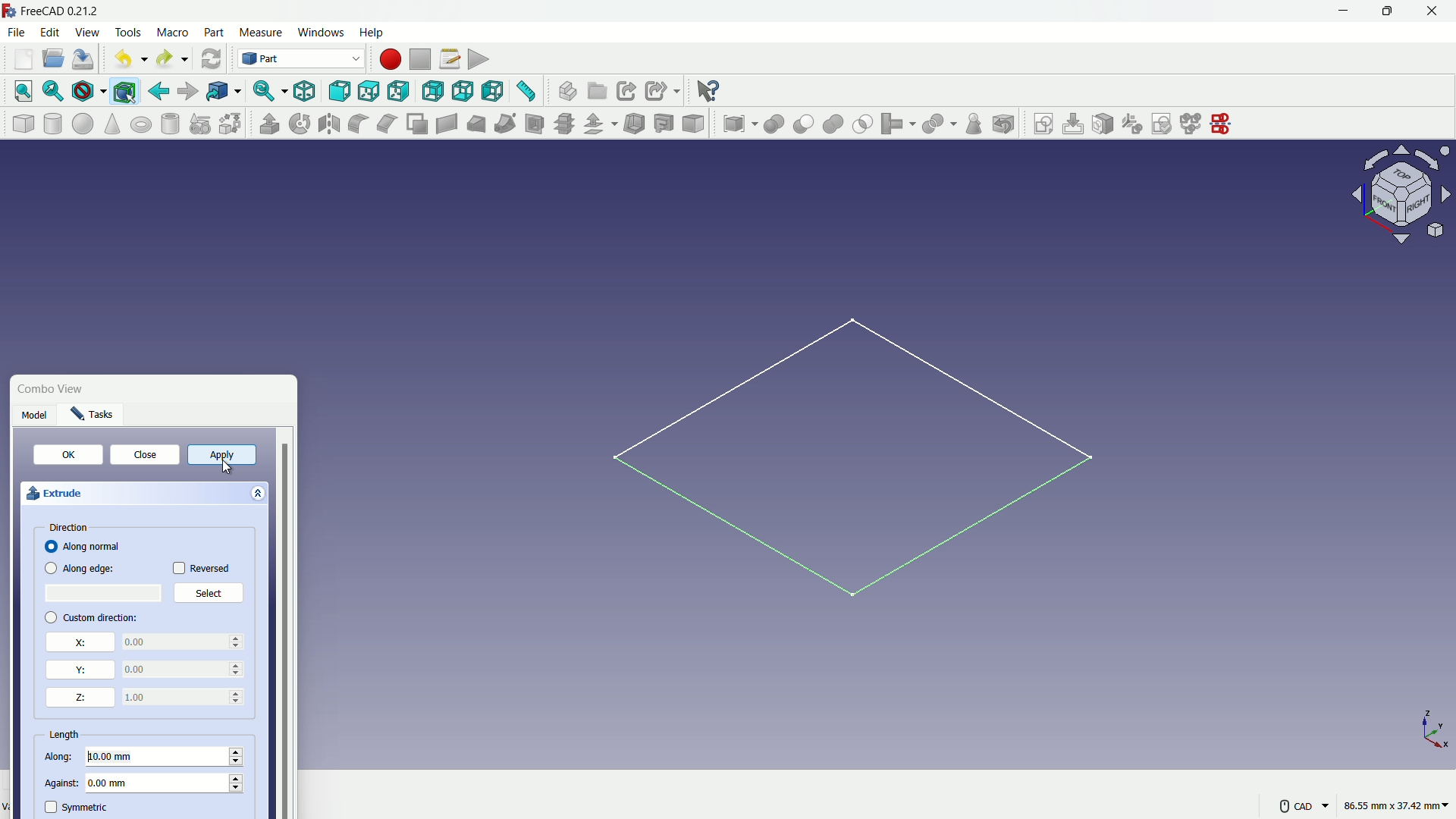  Describe the element at coordinates (188, 91) in the screenshot. I see `go forward` at that location.